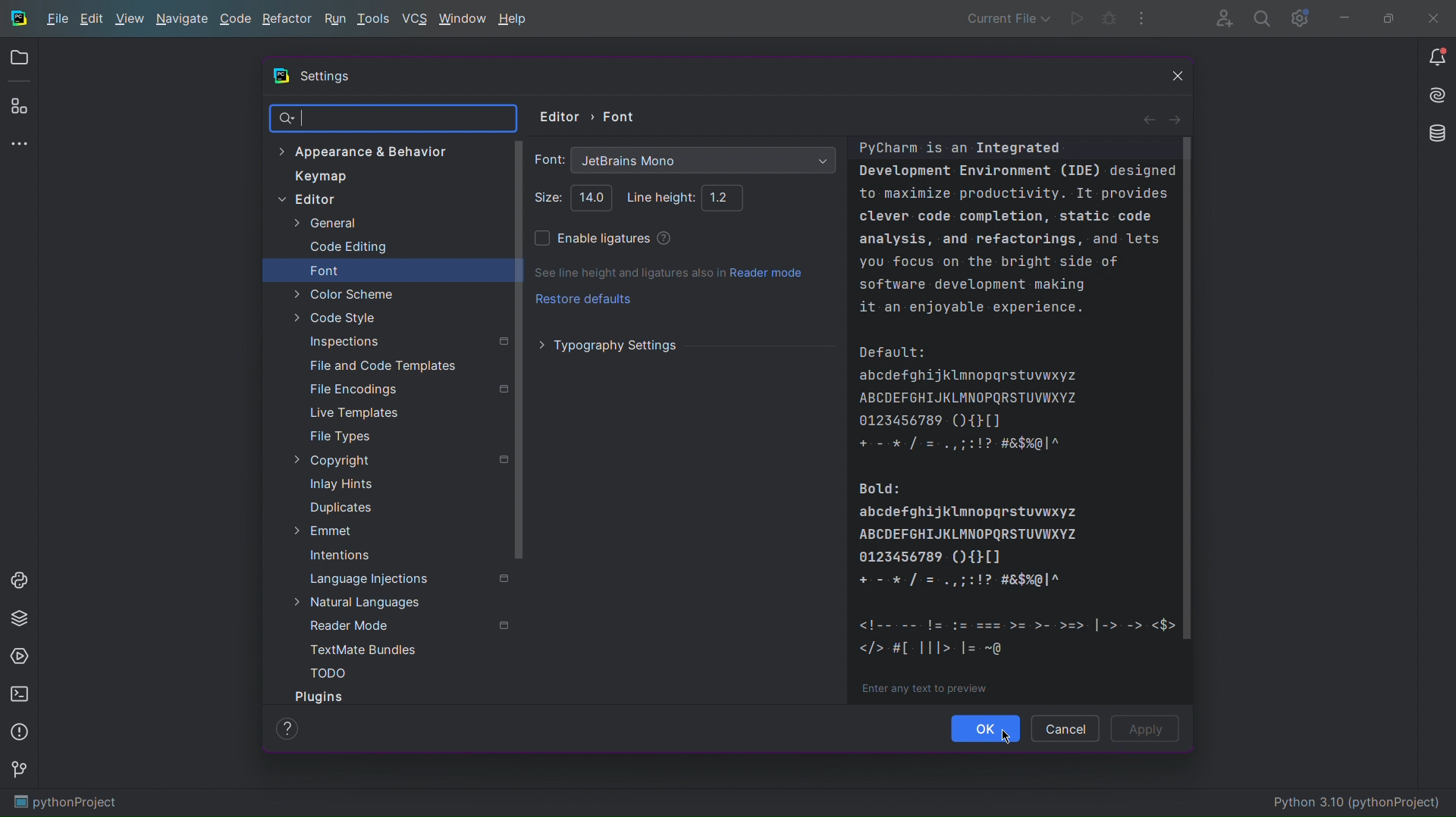  Describe the element at coordinates (20, 108) in the screenshot. I see `Plugins` at that location.